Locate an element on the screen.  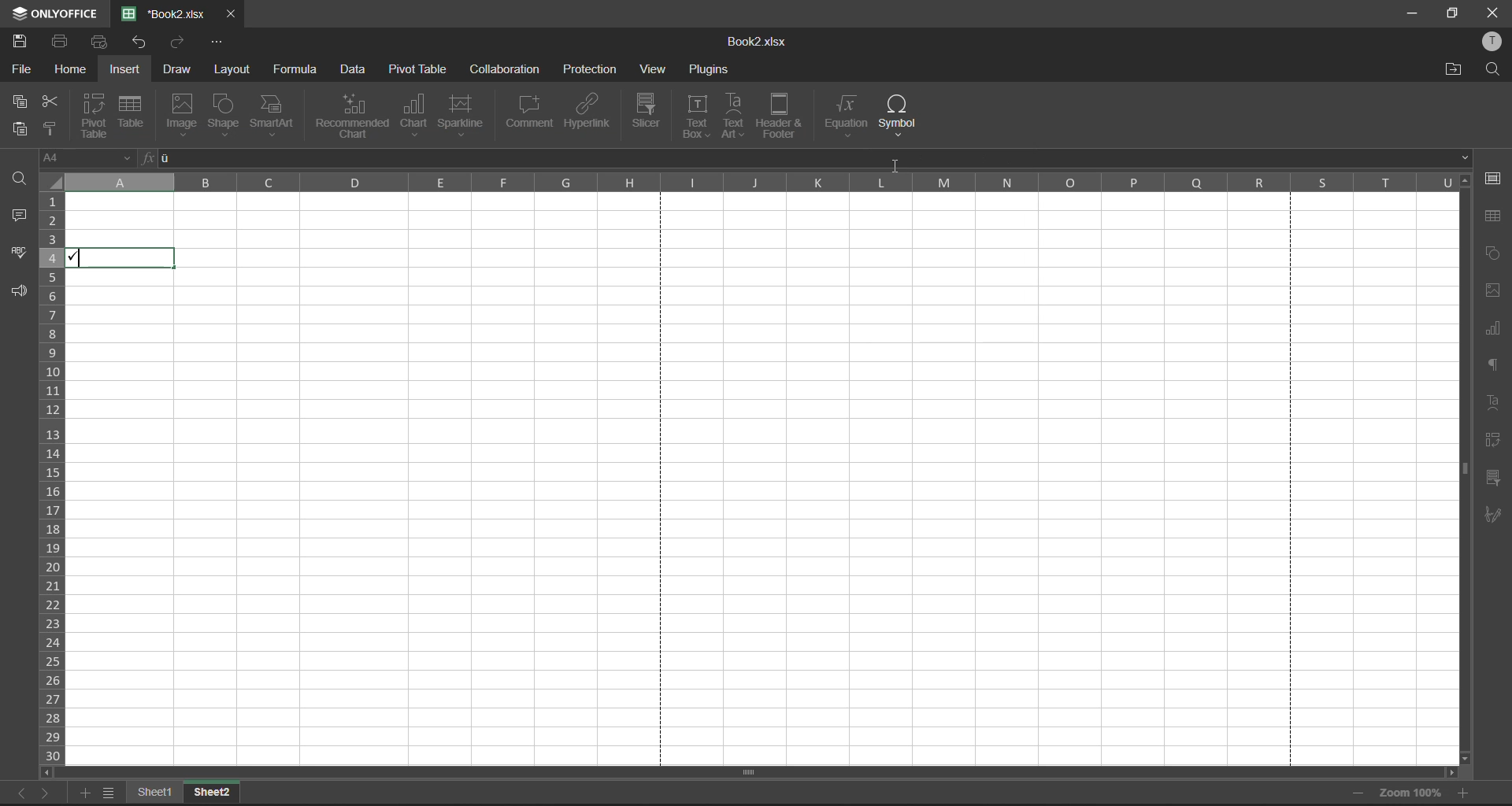
table is located at coordinates (1493, 217).